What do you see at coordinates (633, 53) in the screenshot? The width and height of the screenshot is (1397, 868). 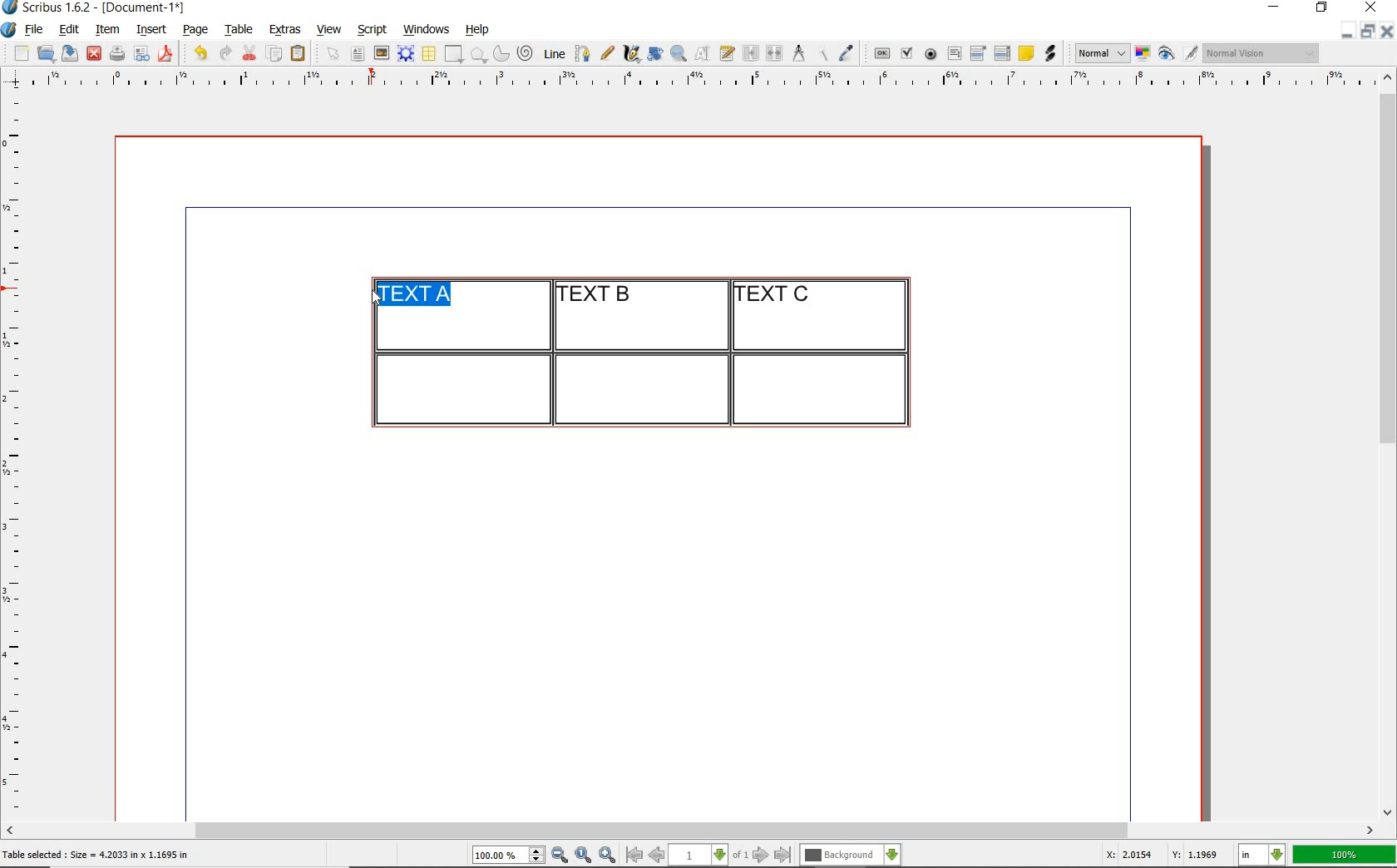 I see `calligraphic line` at bounding box center [633, 53].